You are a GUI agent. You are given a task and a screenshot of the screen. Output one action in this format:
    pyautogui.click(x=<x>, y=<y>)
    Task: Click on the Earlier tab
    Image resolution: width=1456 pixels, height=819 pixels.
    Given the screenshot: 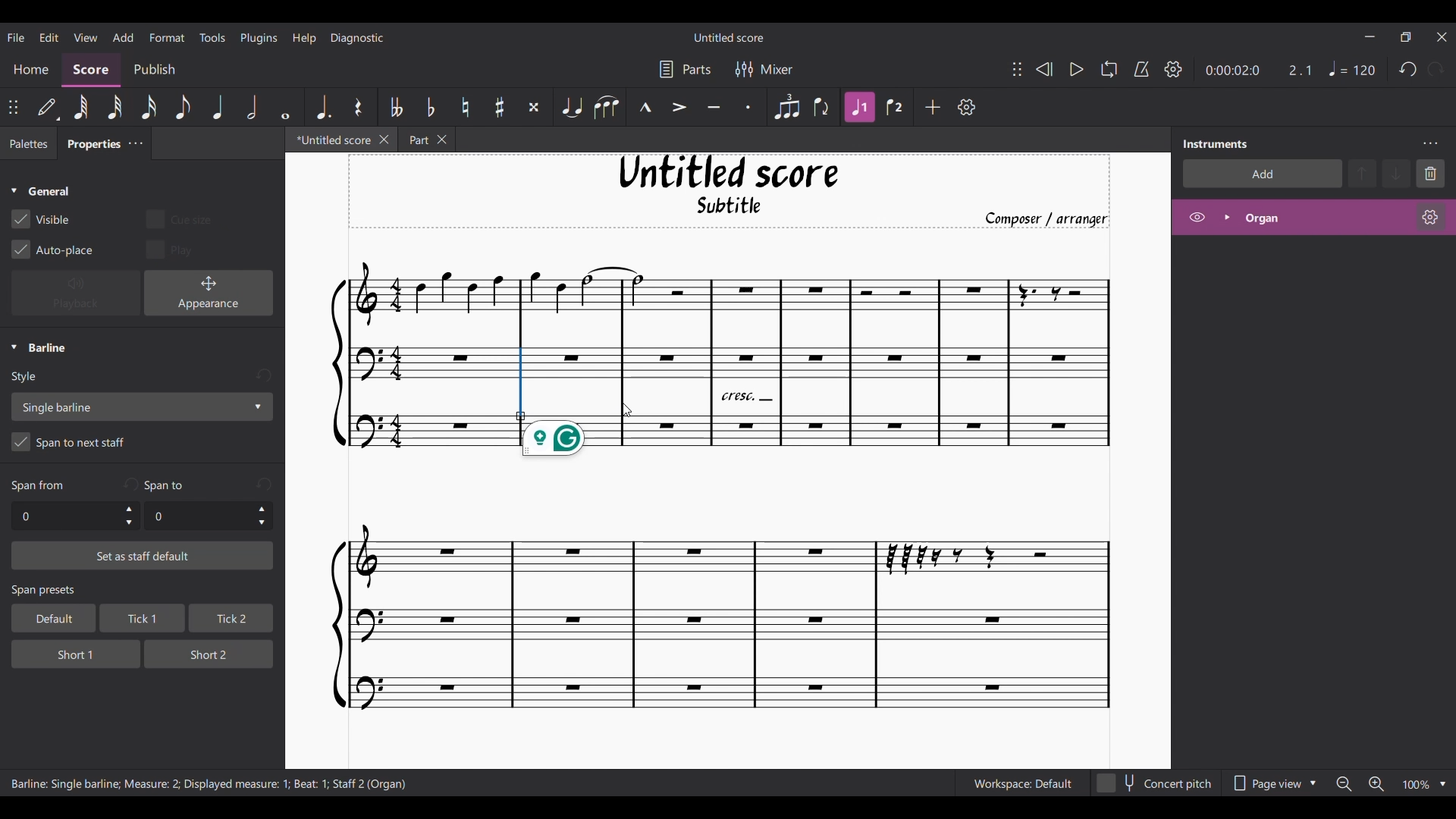 What is the action you would take?
    pyautogui.click(x=426, y=140)
    